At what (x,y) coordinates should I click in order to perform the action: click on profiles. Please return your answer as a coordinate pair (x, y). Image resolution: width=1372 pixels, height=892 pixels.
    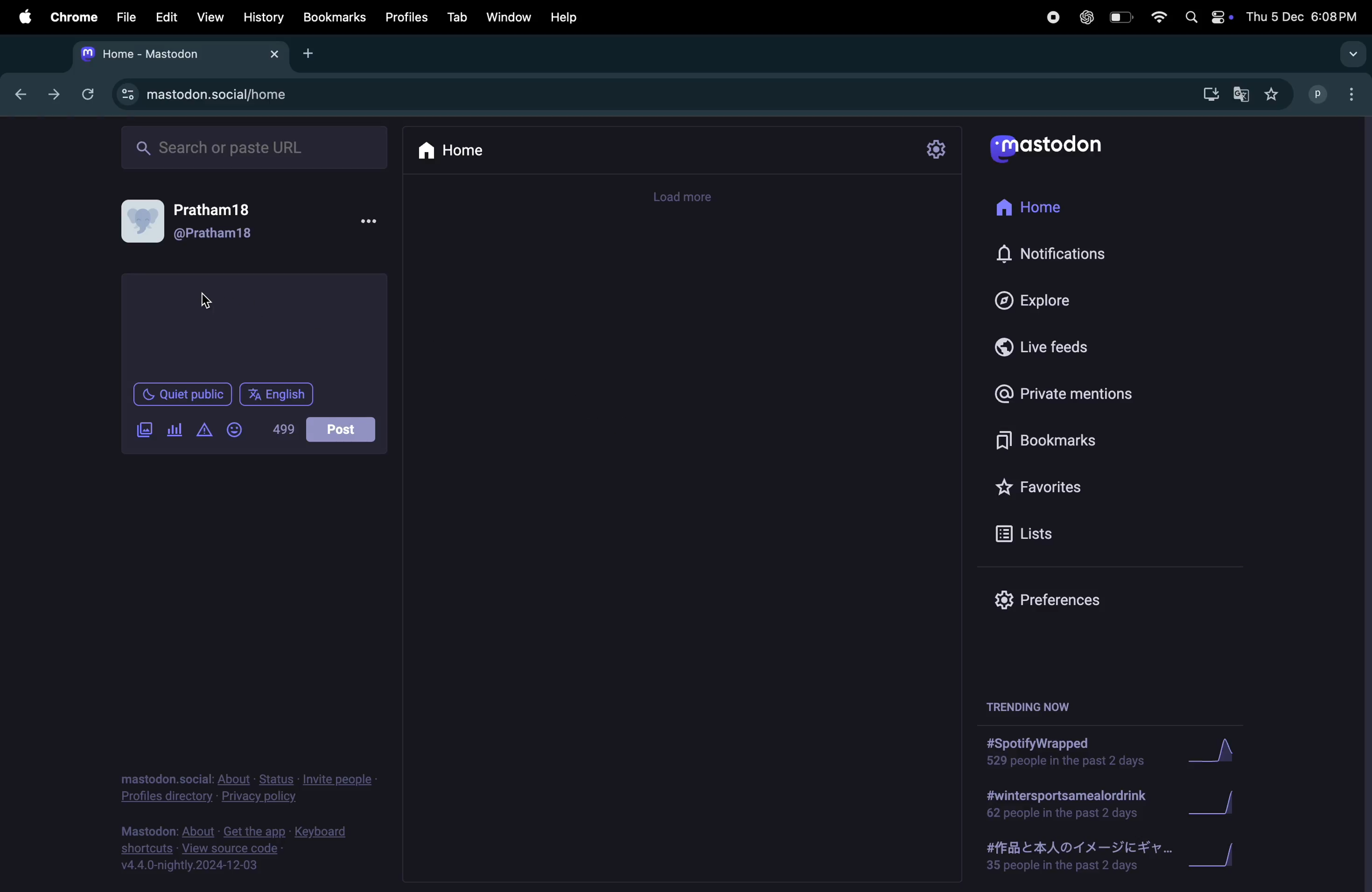
    Looking at the image, I should click on (406, 18).